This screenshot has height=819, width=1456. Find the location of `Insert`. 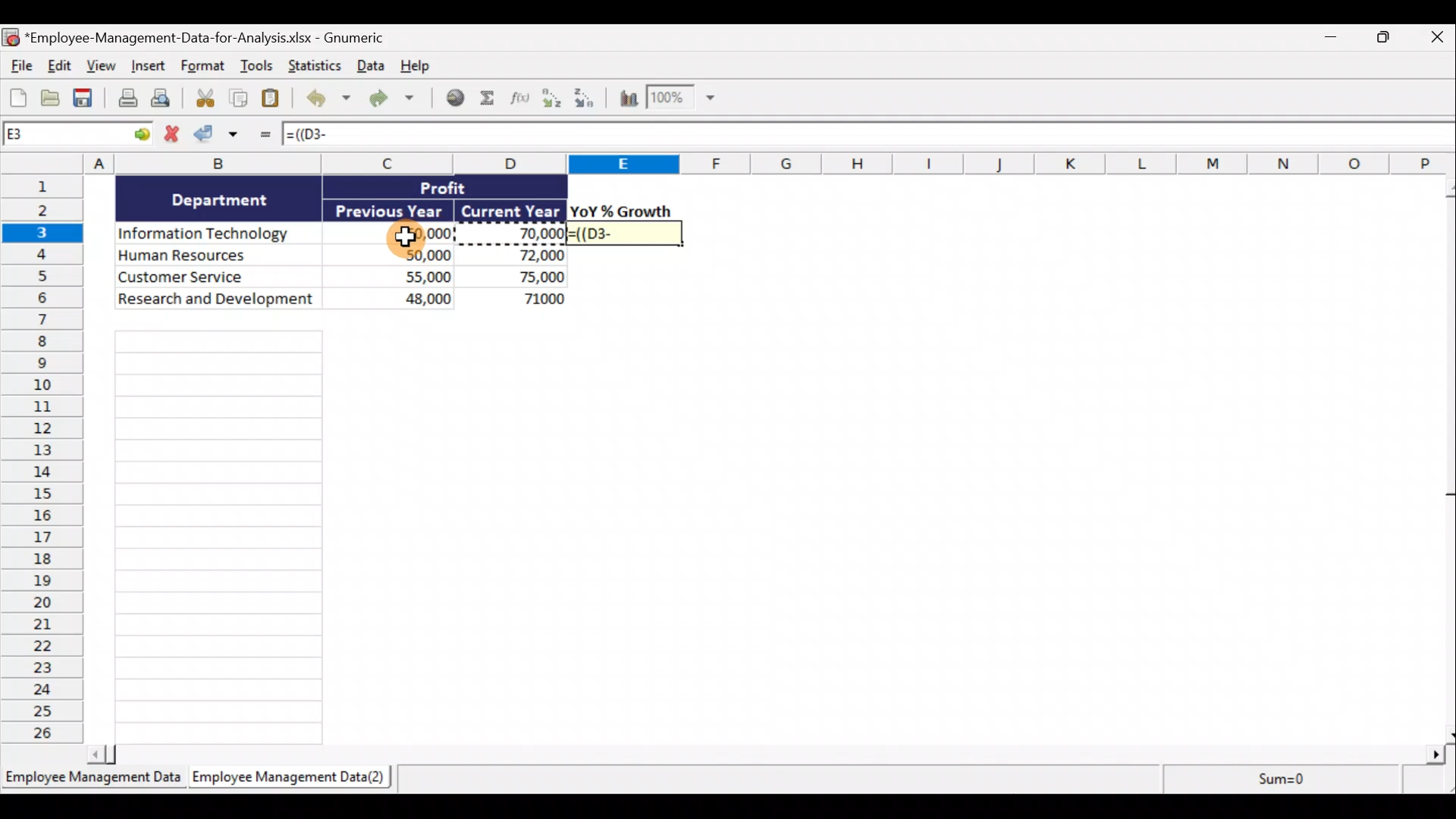

Insert is located at coordinates (146, 67).